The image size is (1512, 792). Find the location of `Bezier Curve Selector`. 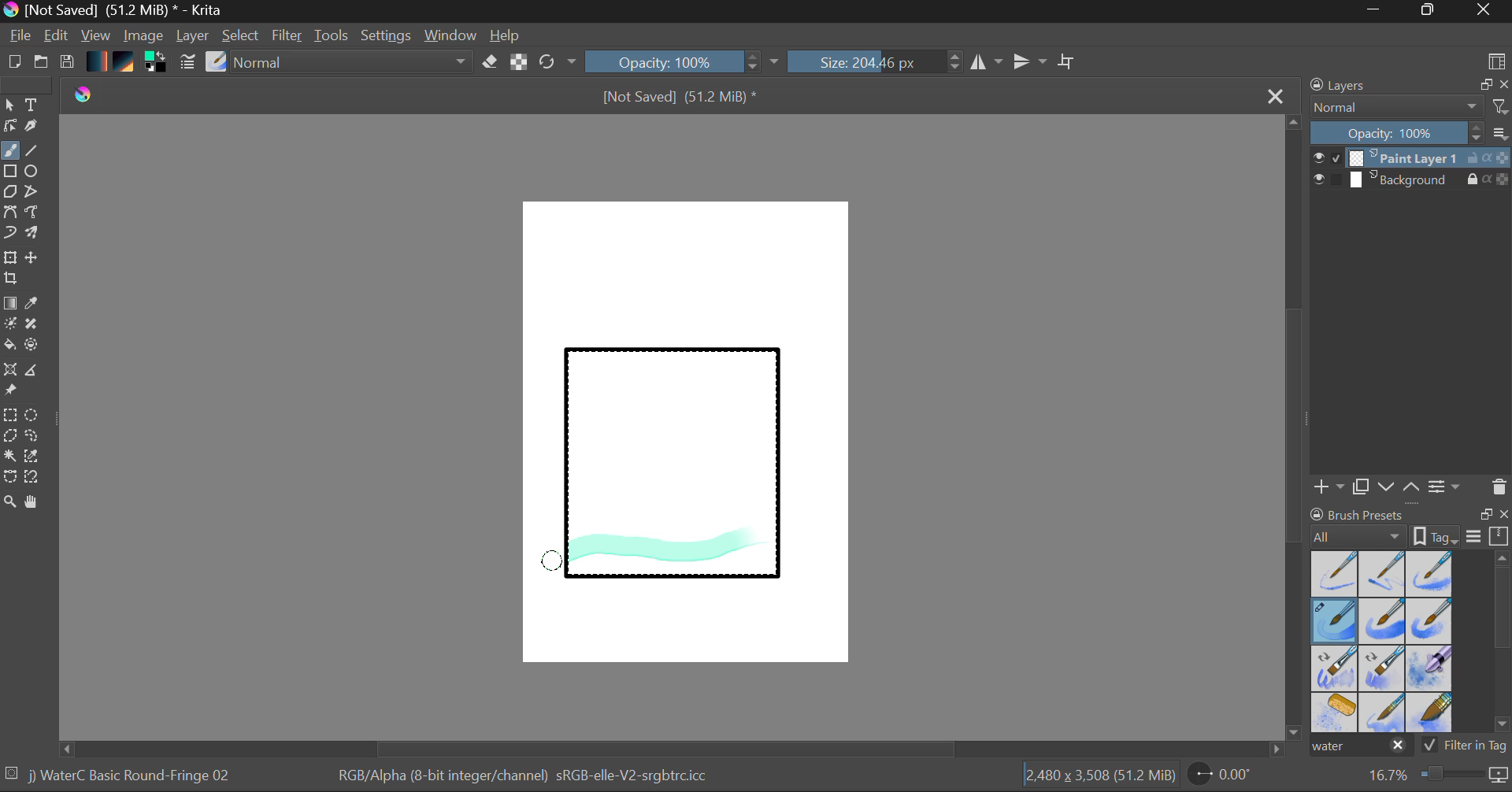

Bezier Curve Selector is located at coordinates (9, 478).